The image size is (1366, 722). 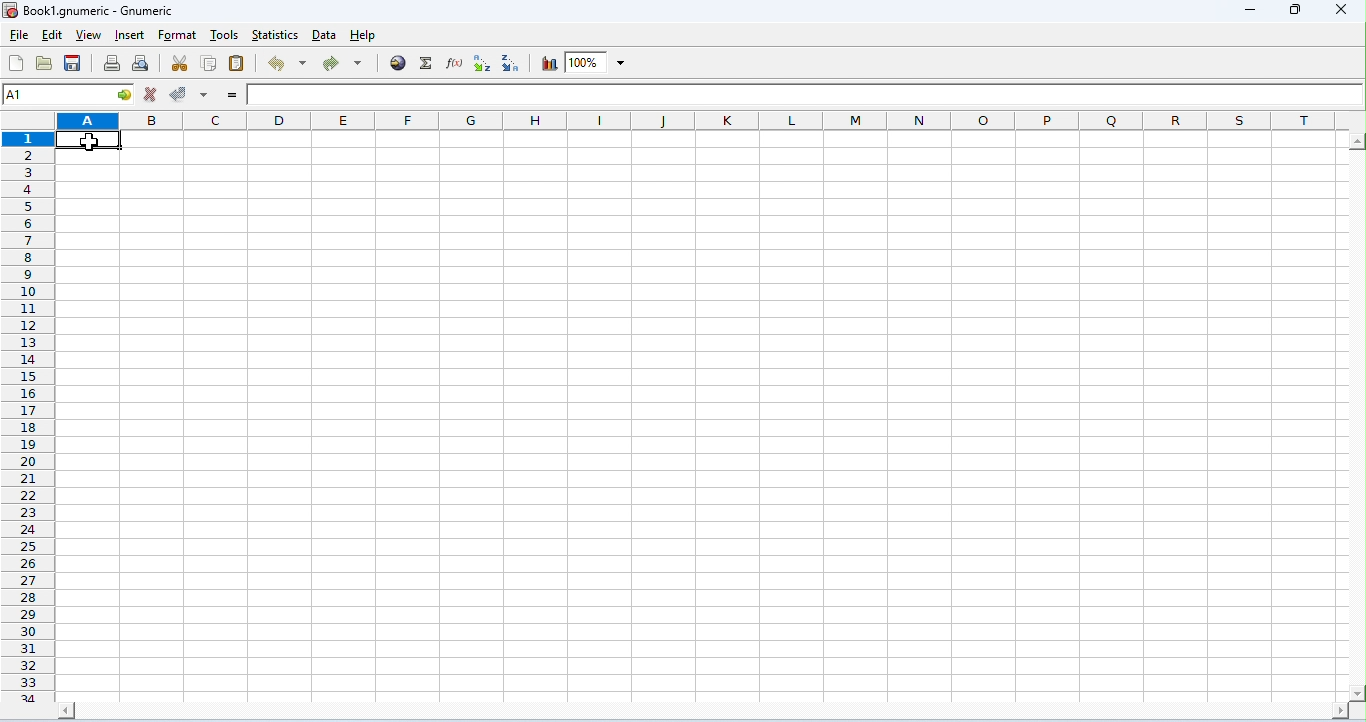 What do you see at coordinates (90, 143) in the screenshot?
I see `cursor` at bounding box center [90, 143].